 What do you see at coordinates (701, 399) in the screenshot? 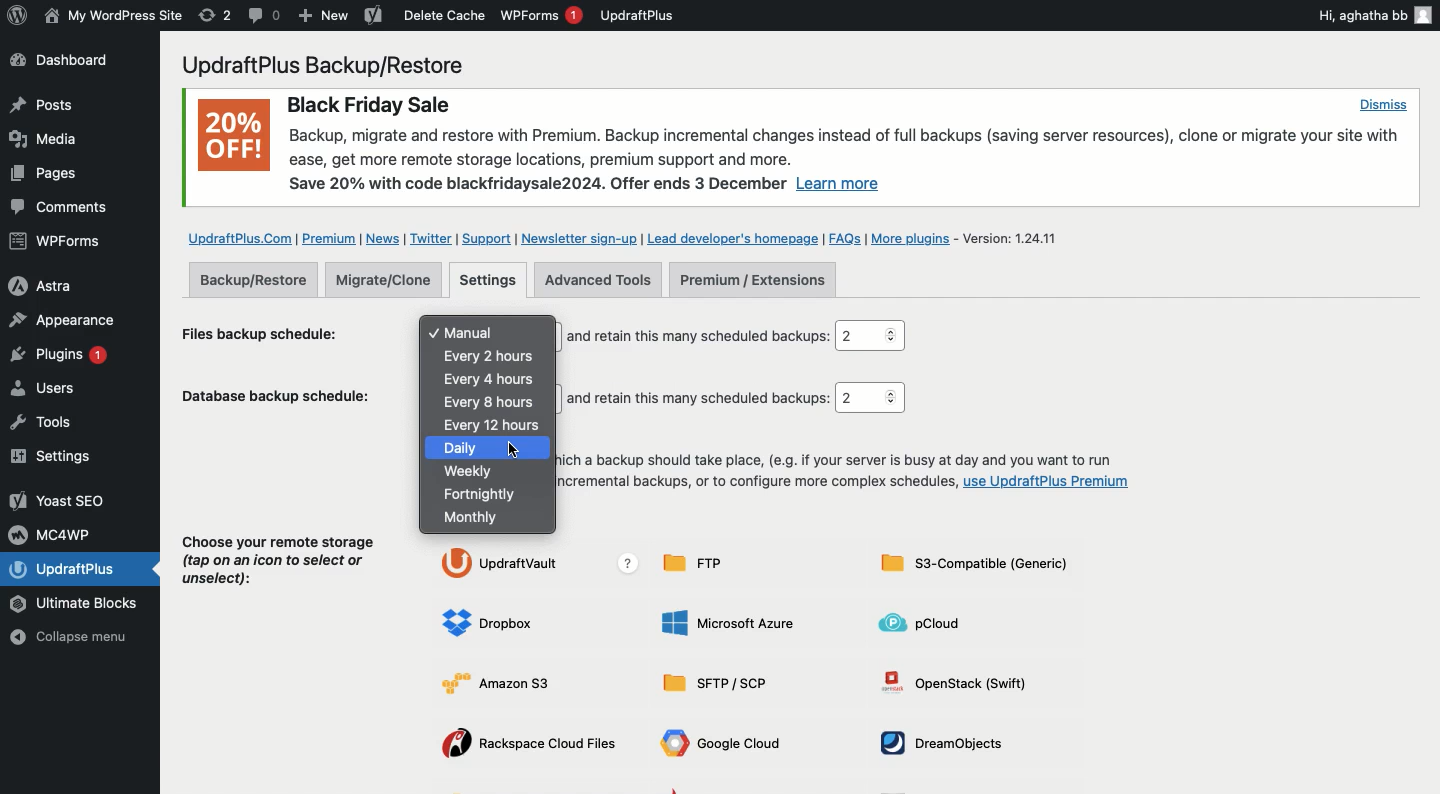
I see `and retain this many scheduled backups:` at bounding box center [701, 399].